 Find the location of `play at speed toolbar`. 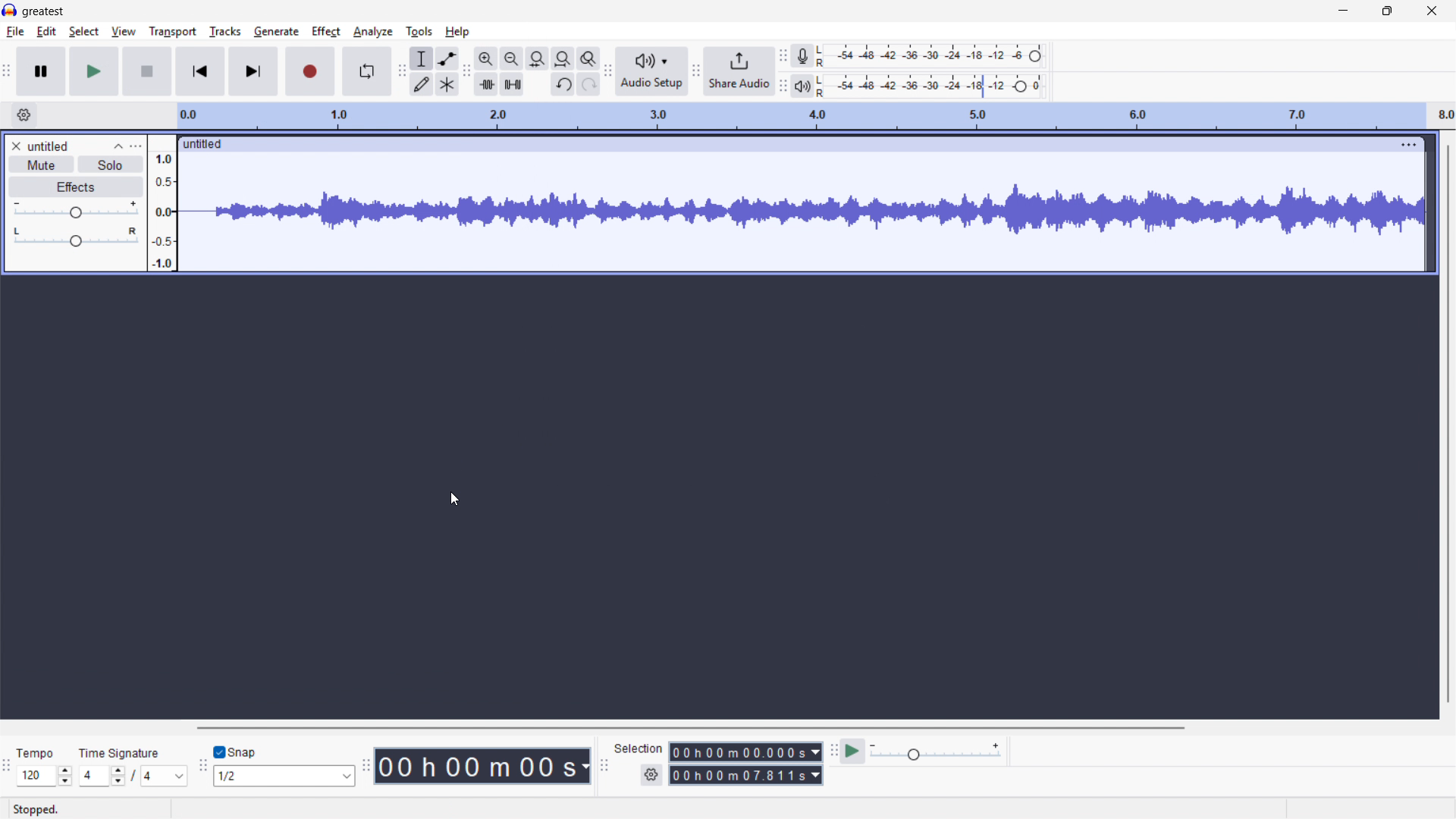

play at speed toolbar is located at coordinates (832, 752).